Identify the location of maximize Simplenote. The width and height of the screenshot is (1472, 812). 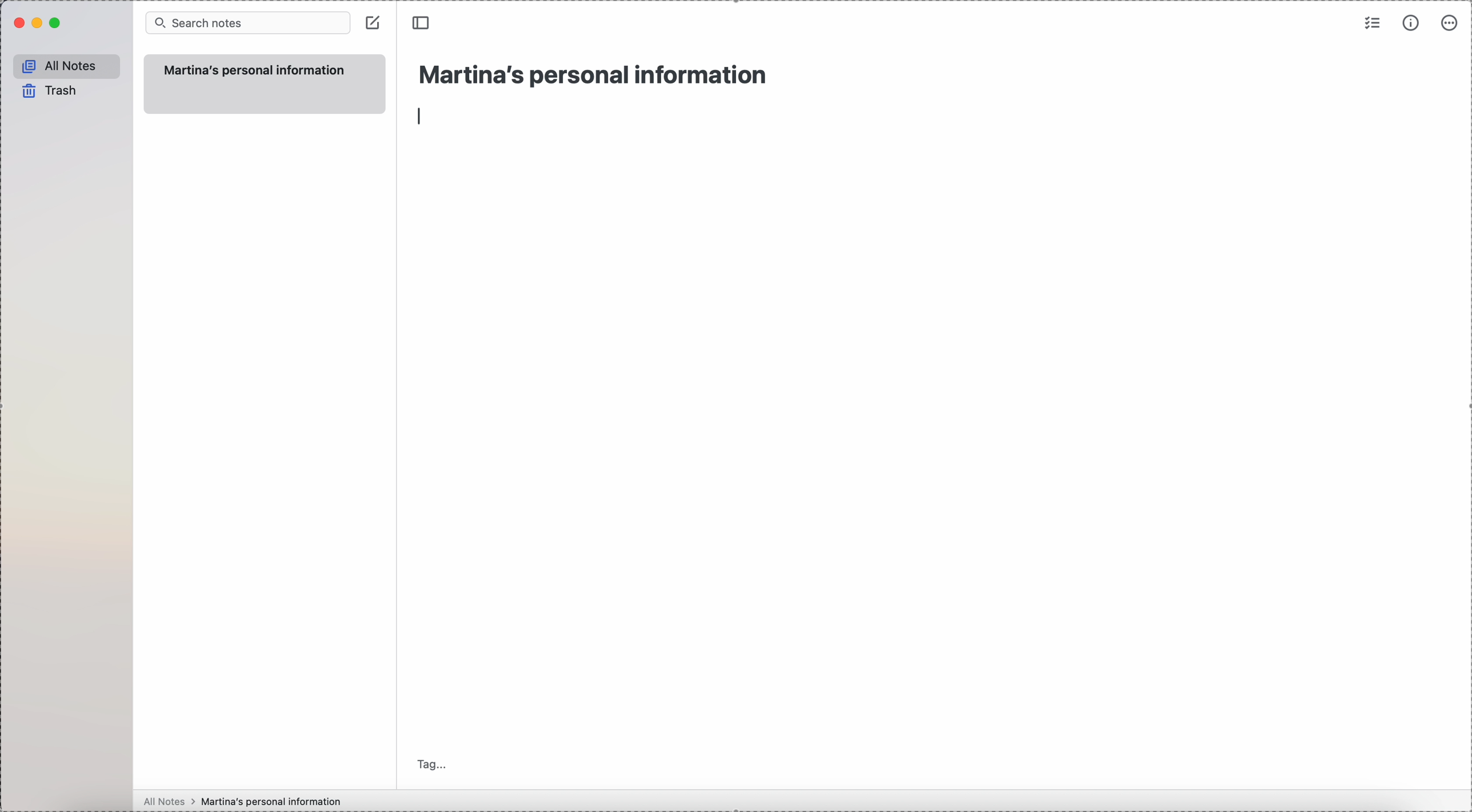
(56, 23).